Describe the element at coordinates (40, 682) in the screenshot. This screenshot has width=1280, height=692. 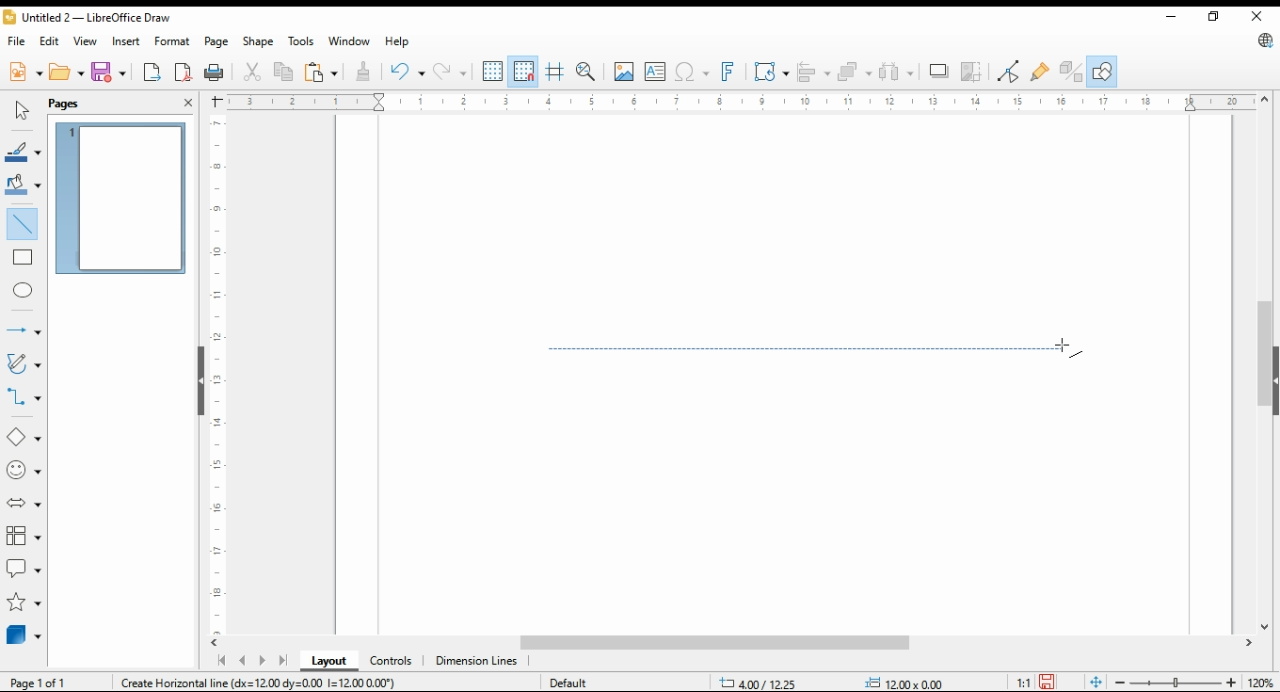
I see `page 1 of 1` at that location.